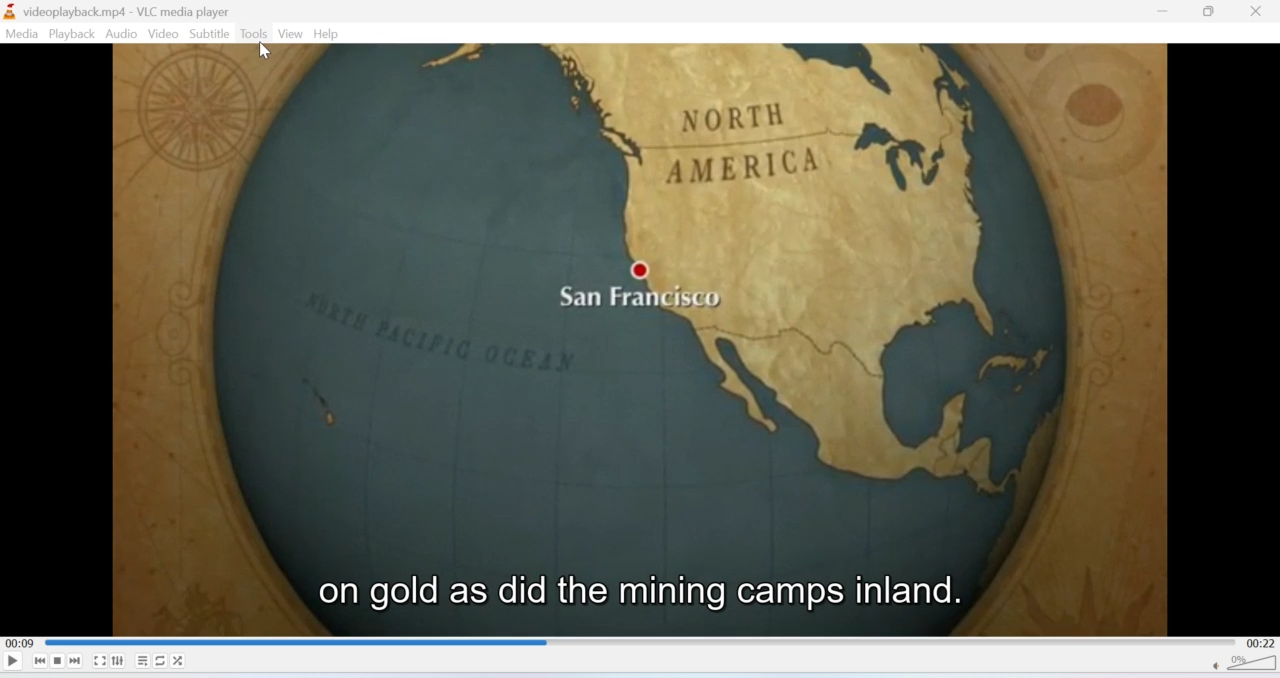 The height and width of the screenshot is (678, 1280). Describe the element at coordinates (1246, 666) in the screenshot. I see `Volume` at that location.